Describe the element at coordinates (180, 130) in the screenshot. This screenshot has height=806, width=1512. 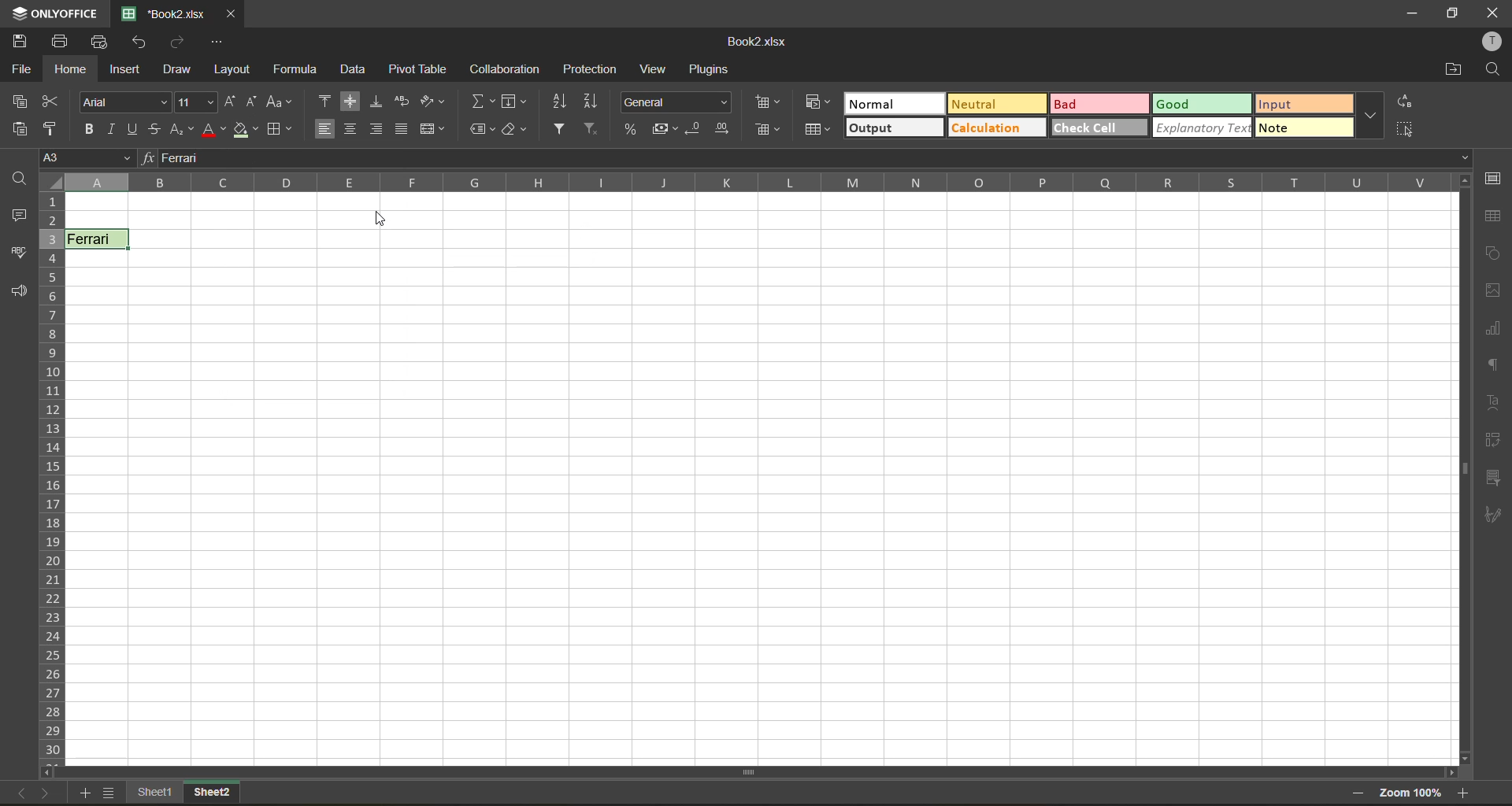
I see `sub/superscript` at that location.